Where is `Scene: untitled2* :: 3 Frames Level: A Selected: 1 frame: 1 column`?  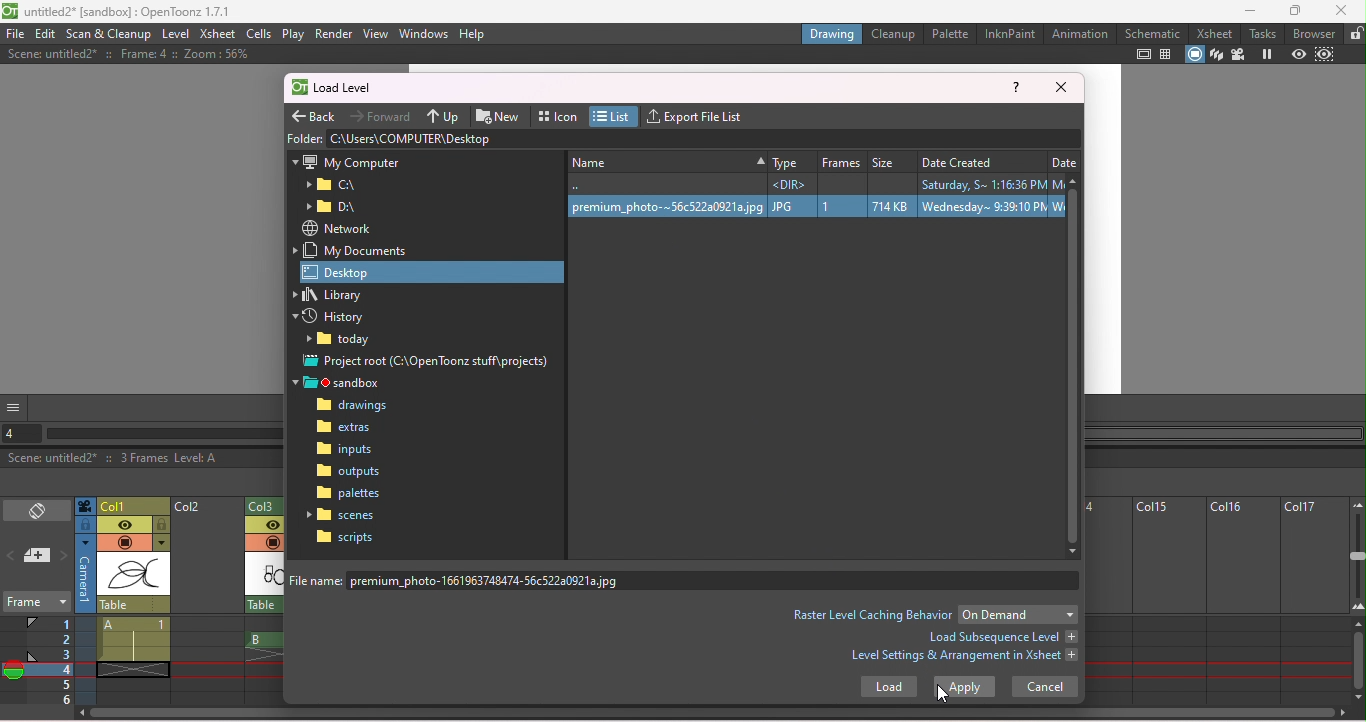
Scene: untitled2* :: 3 Frames Level: A Selected: 1 frame: 1 column is located at coordinates (142, 459).